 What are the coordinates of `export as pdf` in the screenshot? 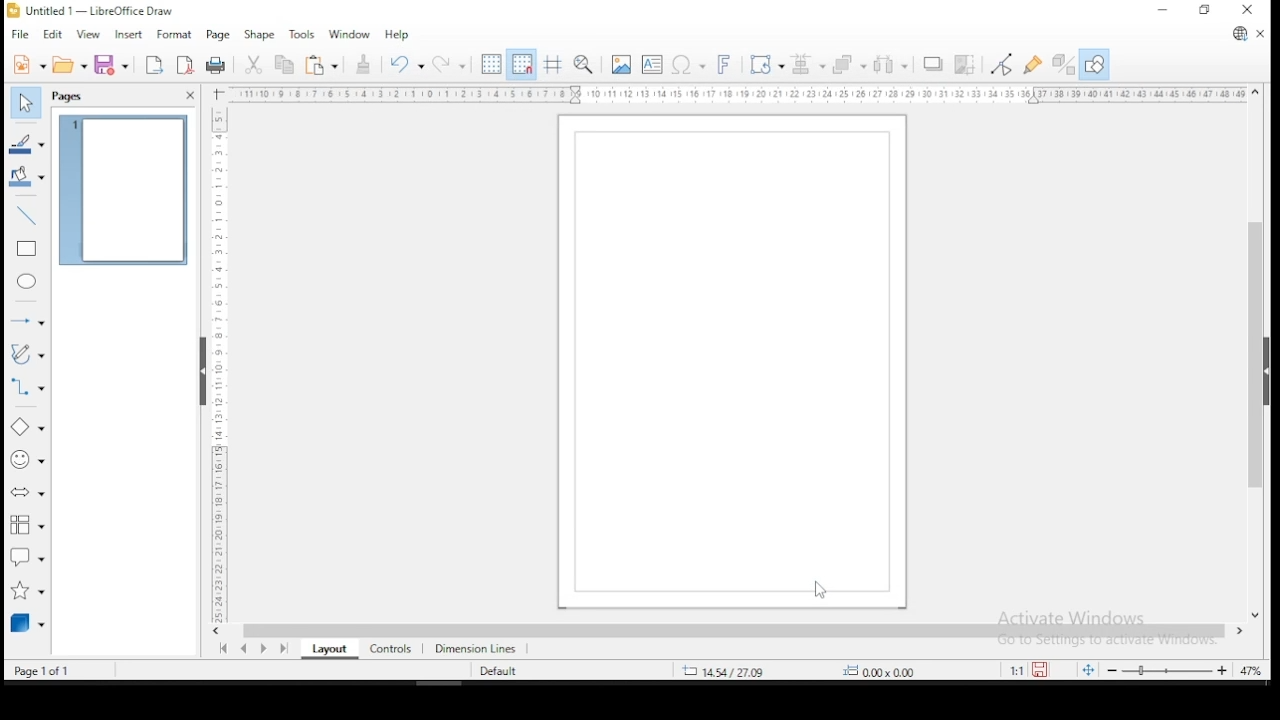 It's located at (184, 66).